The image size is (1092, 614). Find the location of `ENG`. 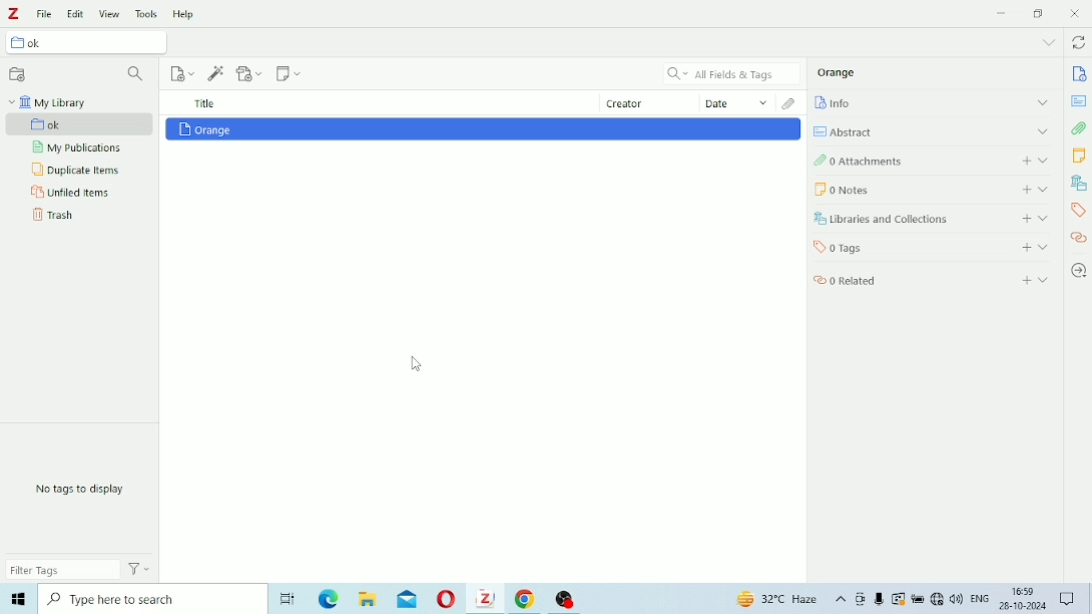

ENG is located at coordinates (980, 597).